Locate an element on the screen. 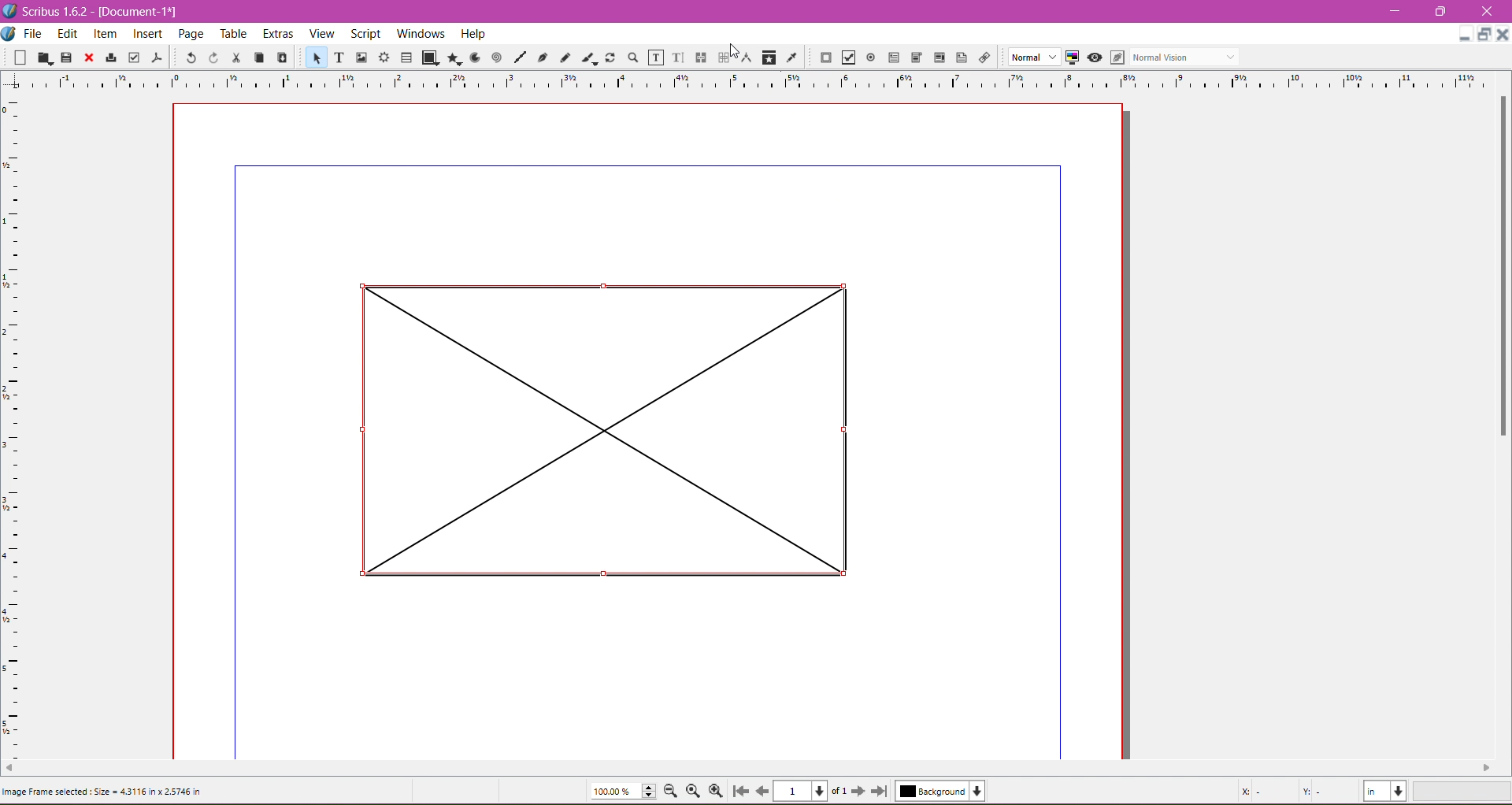 The width and height of the screenshot is (1512, 805). Print is located at coordinates (110, 57).